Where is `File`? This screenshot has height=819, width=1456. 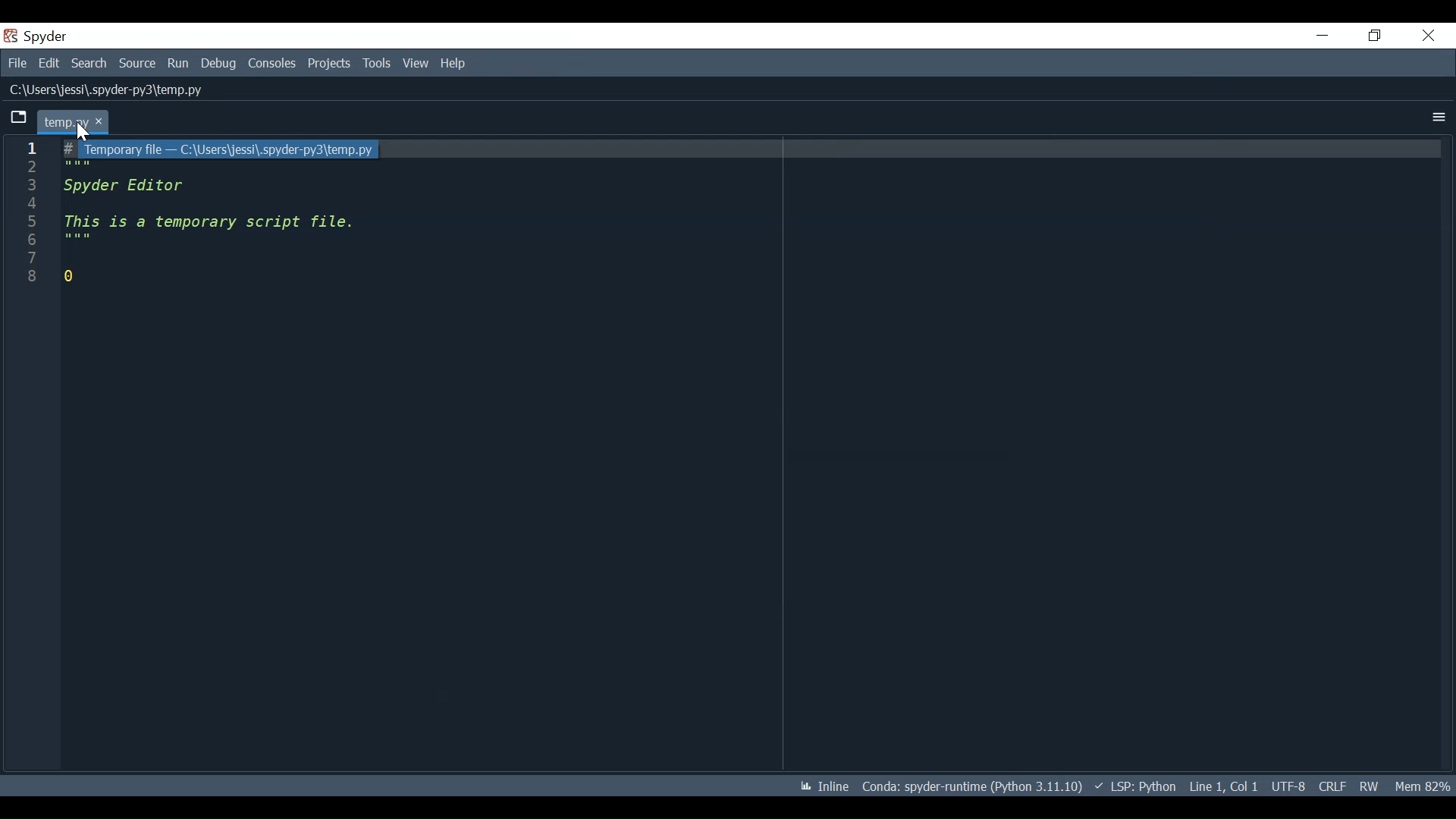
File is located at coordinates (17, 63).